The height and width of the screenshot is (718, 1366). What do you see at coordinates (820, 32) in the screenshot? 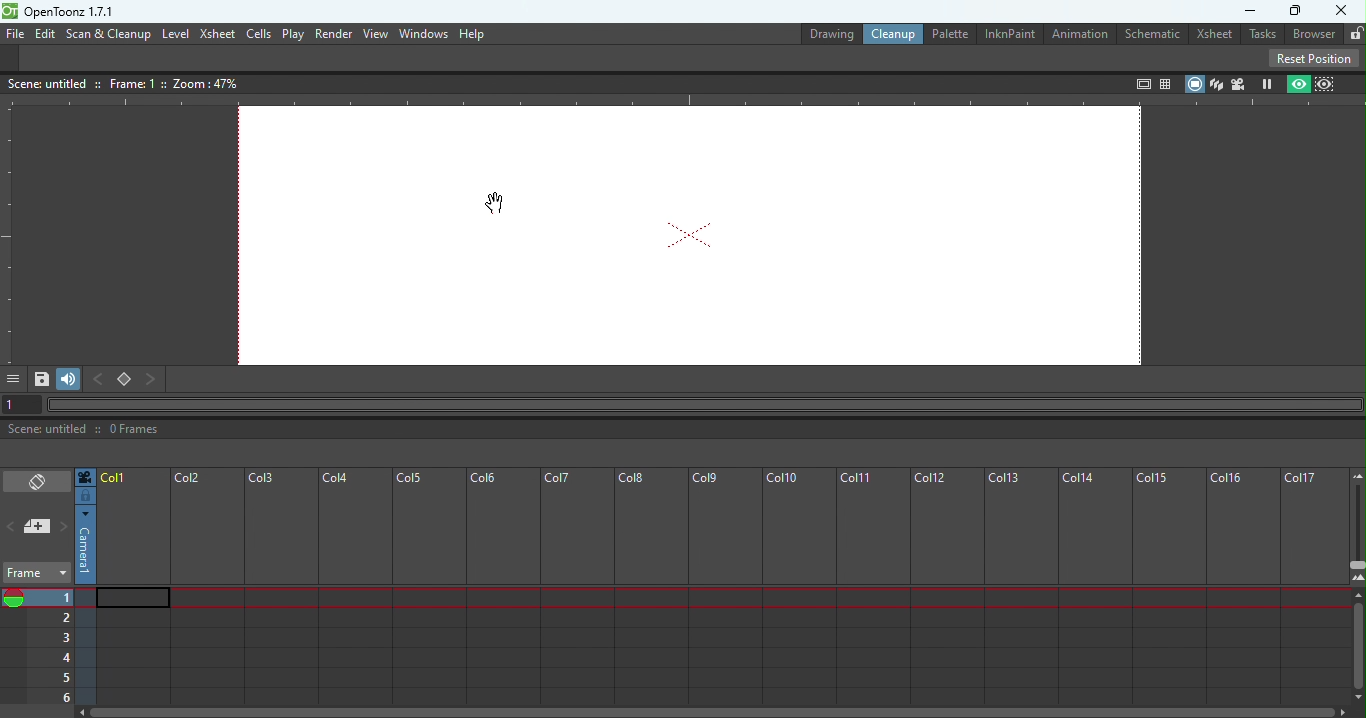
I see `Drawing` at bounding box center [820, 32].